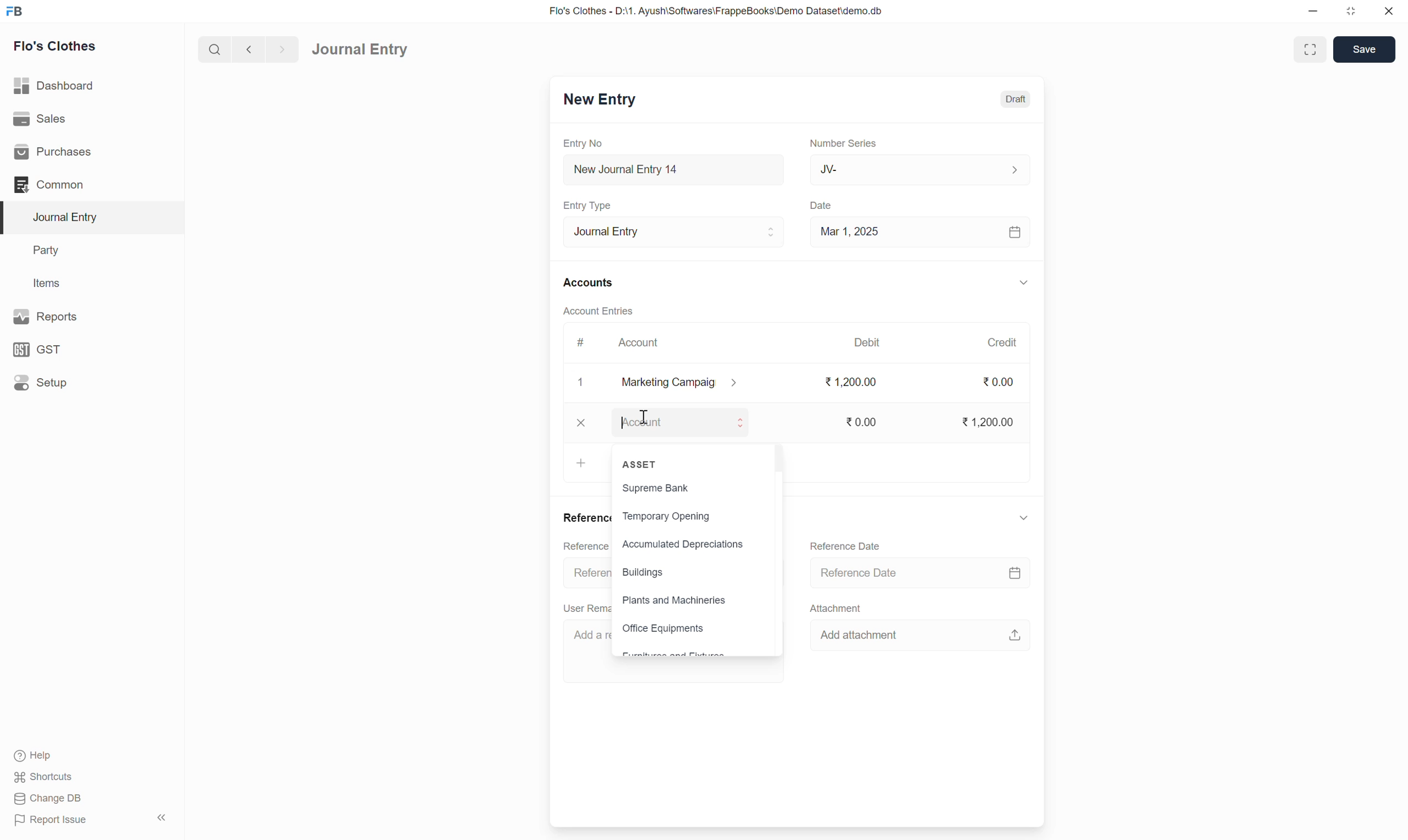  I want to click on Add attachment, so click(863, 636).